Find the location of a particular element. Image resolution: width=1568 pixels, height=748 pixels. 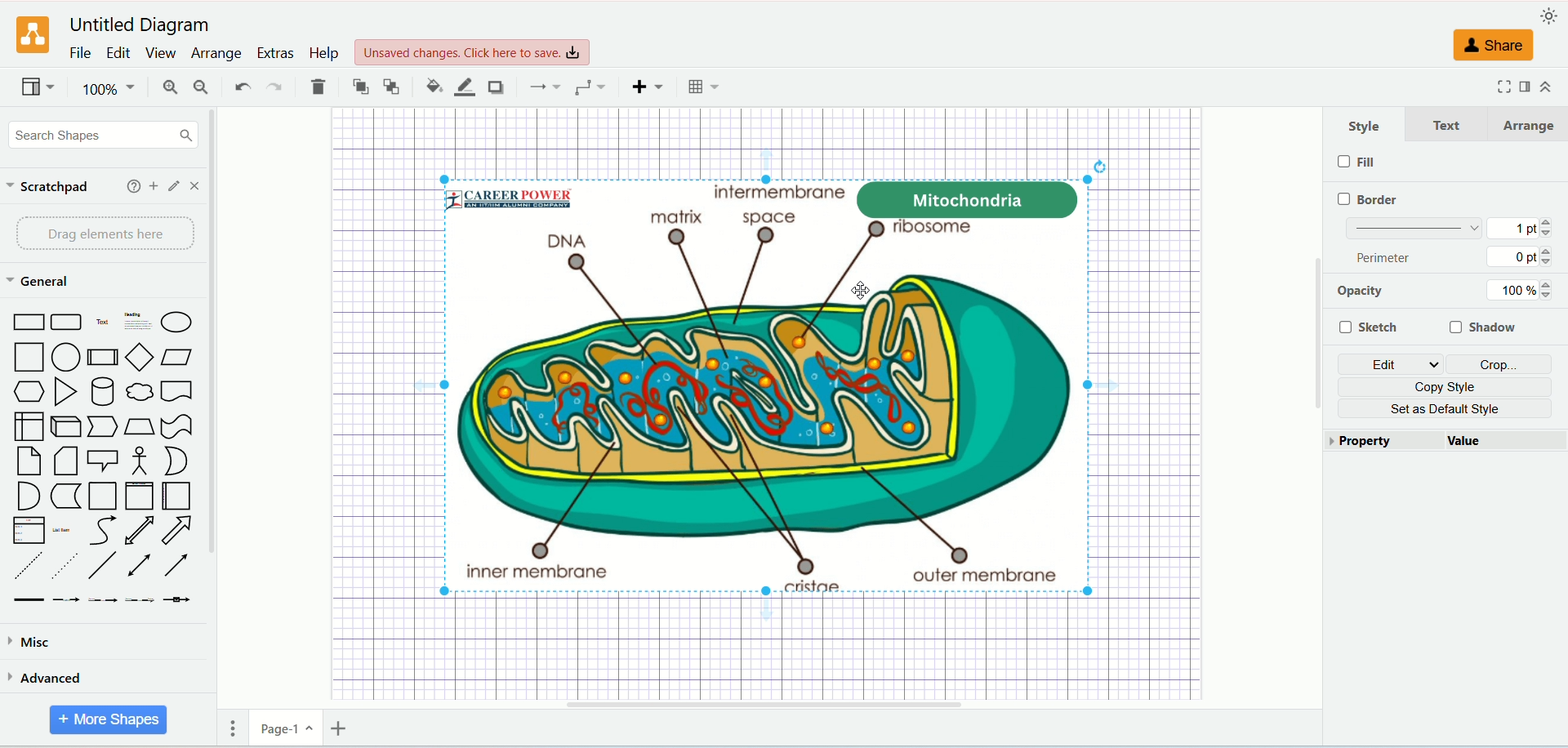

0 pt is located at coordinates (1523, 256).